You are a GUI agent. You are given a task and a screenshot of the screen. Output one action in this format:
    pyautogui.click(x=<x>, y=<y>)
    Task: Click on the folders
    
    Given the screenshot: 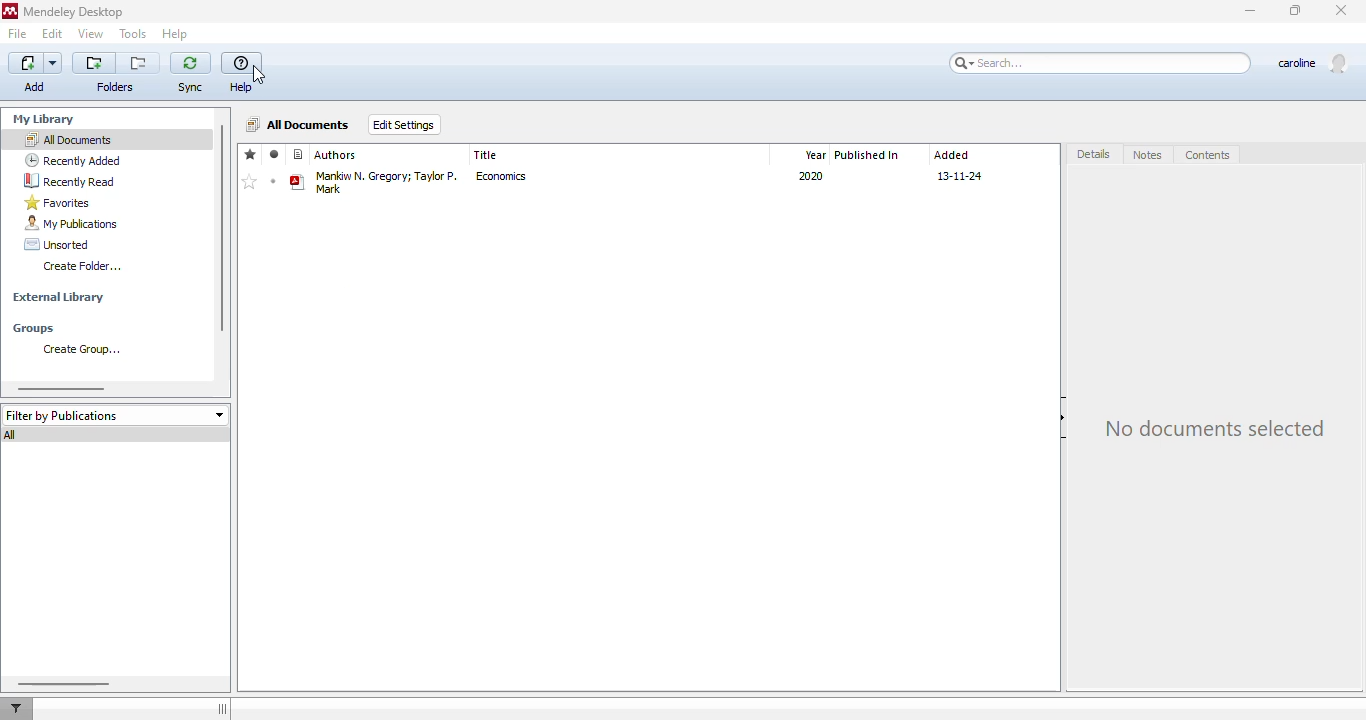 What is the action you would take?
    pyautogui.click(x=115, y=74)
    